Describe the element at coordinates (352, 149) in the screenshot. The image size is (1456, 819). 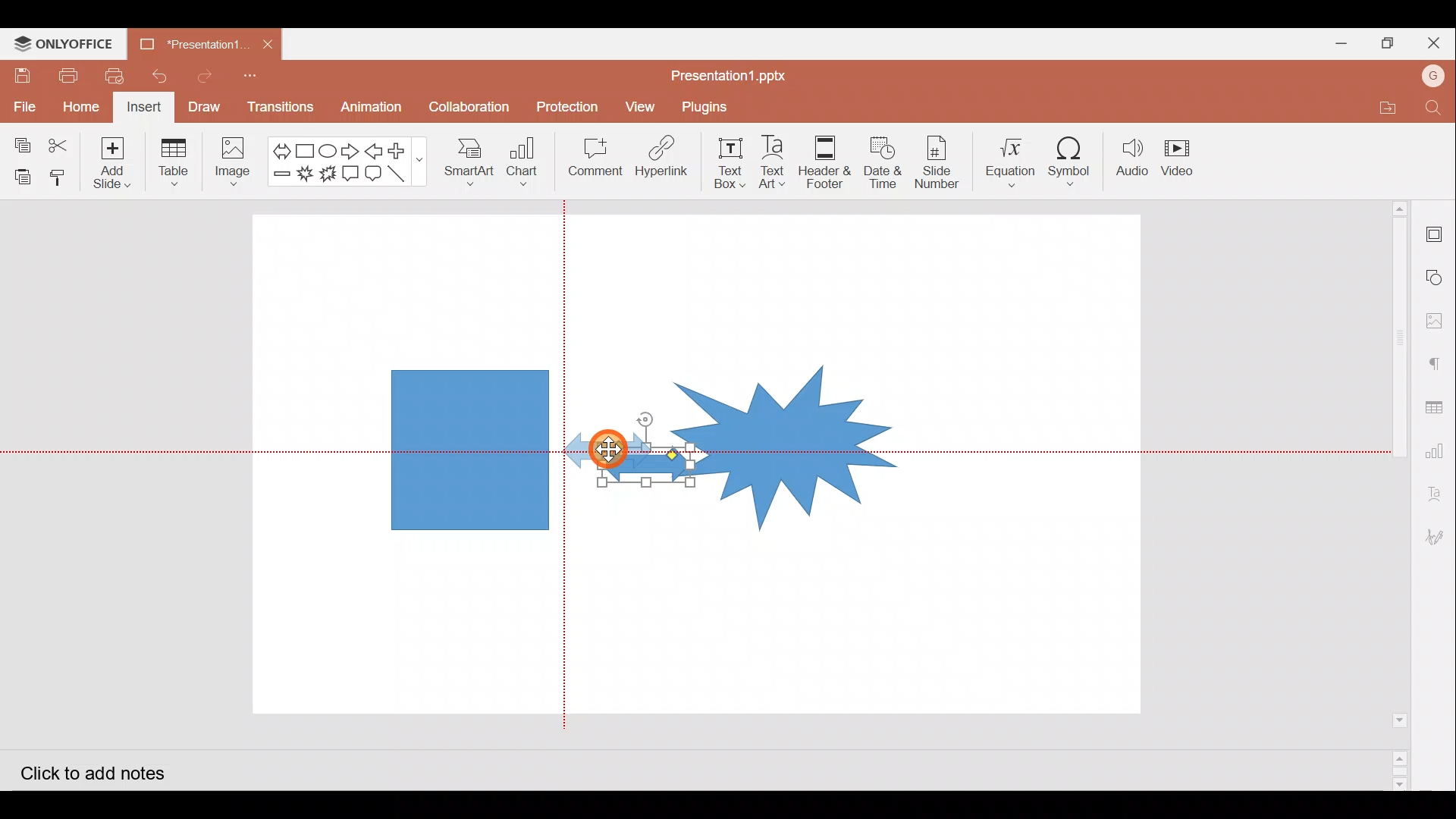
I see `Right arrow` at that location.